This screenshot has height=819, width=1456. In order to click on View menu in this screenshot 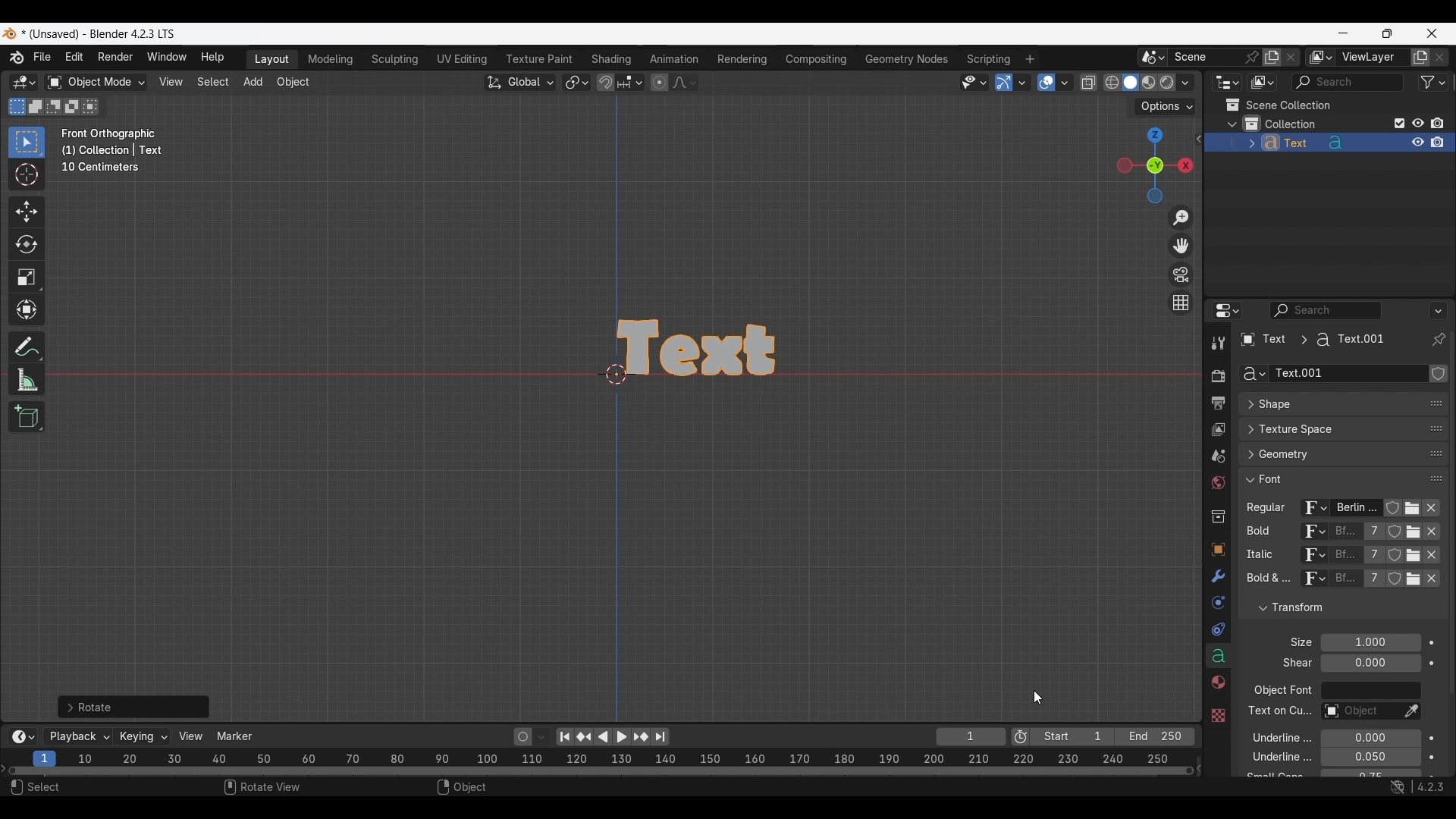, I will do `click(170, 82)`.